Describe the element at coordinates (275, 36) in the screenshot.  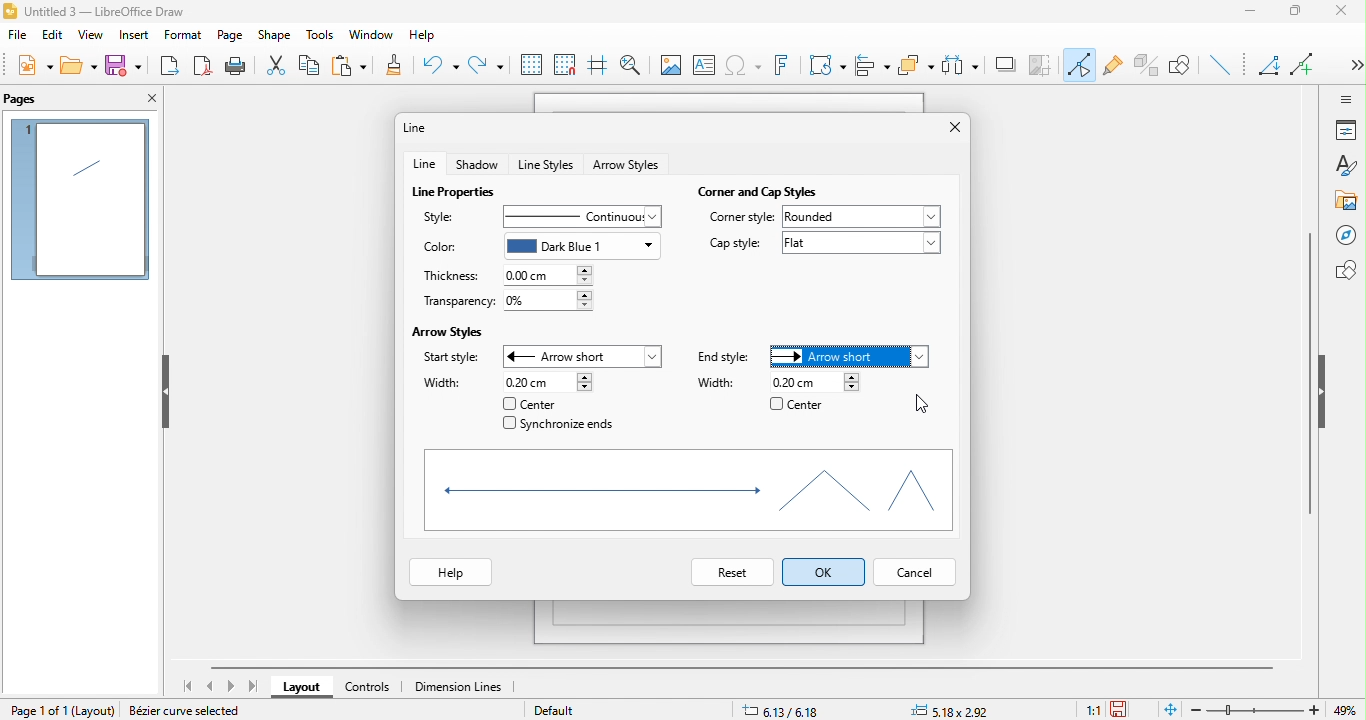
I see `shape` at that location.